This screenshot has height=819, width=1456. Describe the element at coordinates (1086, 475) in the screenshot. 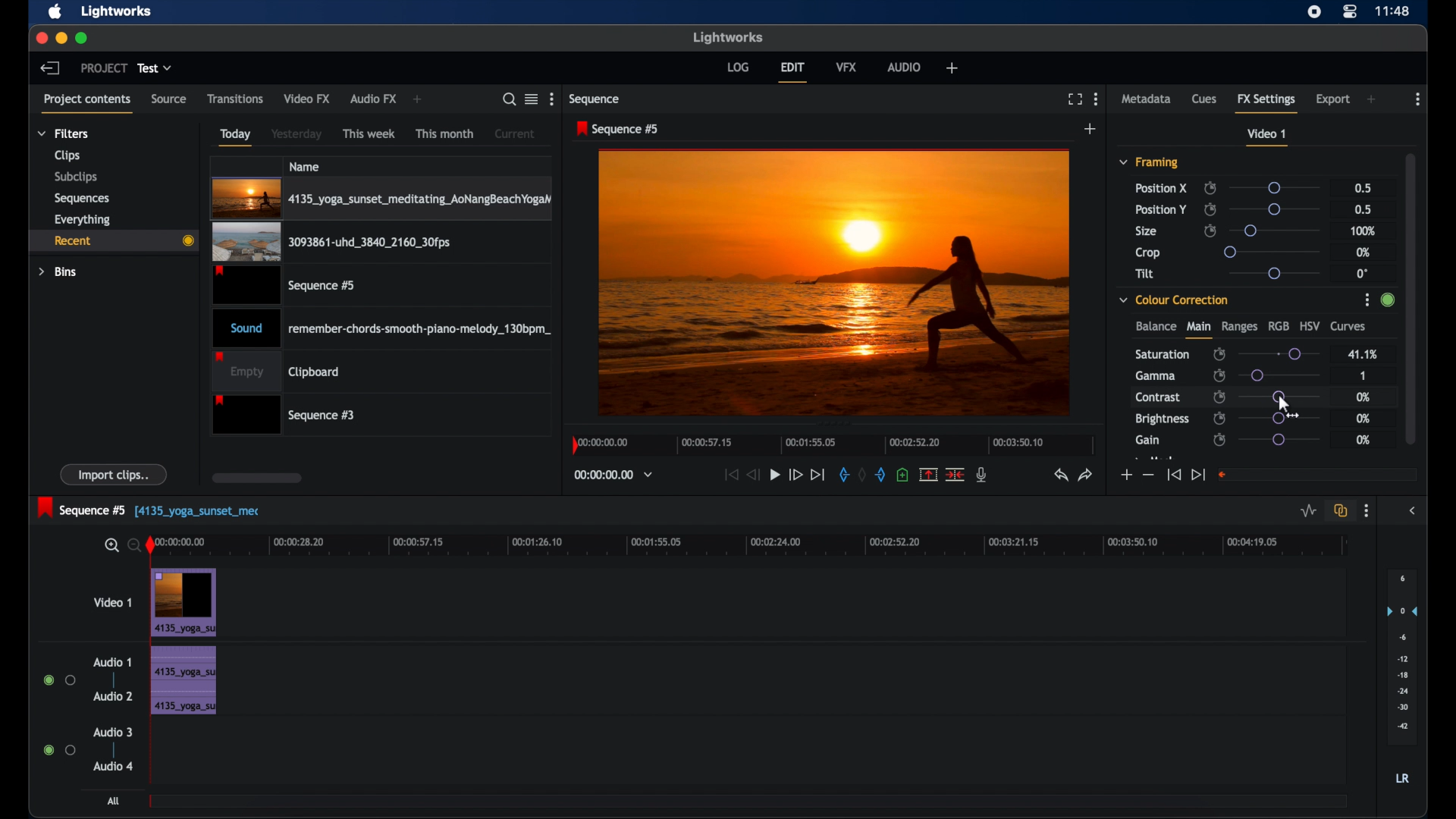

I see `redo` at that location.